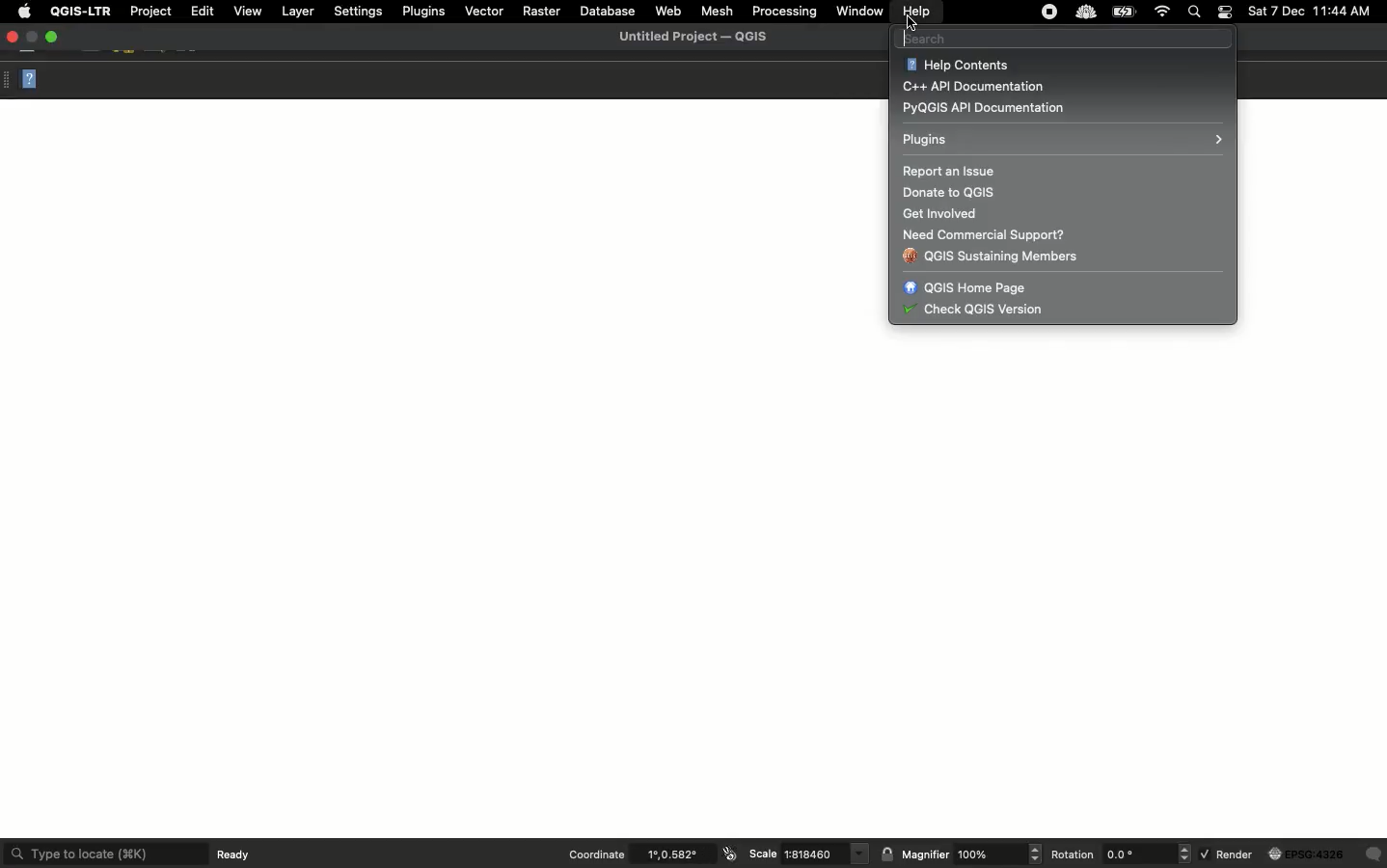  I want to click on Mesh, so click(719, 13).